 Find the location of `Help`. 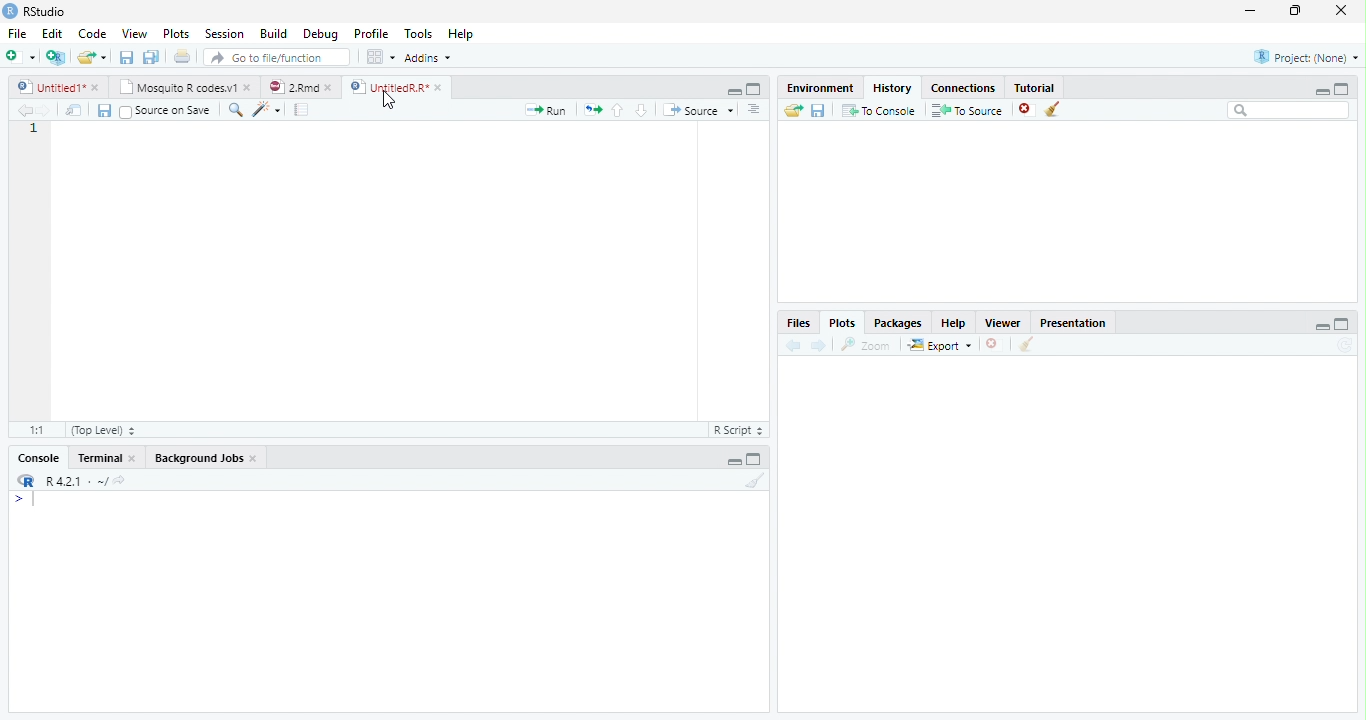

Help is located at coordinates (953, 324).